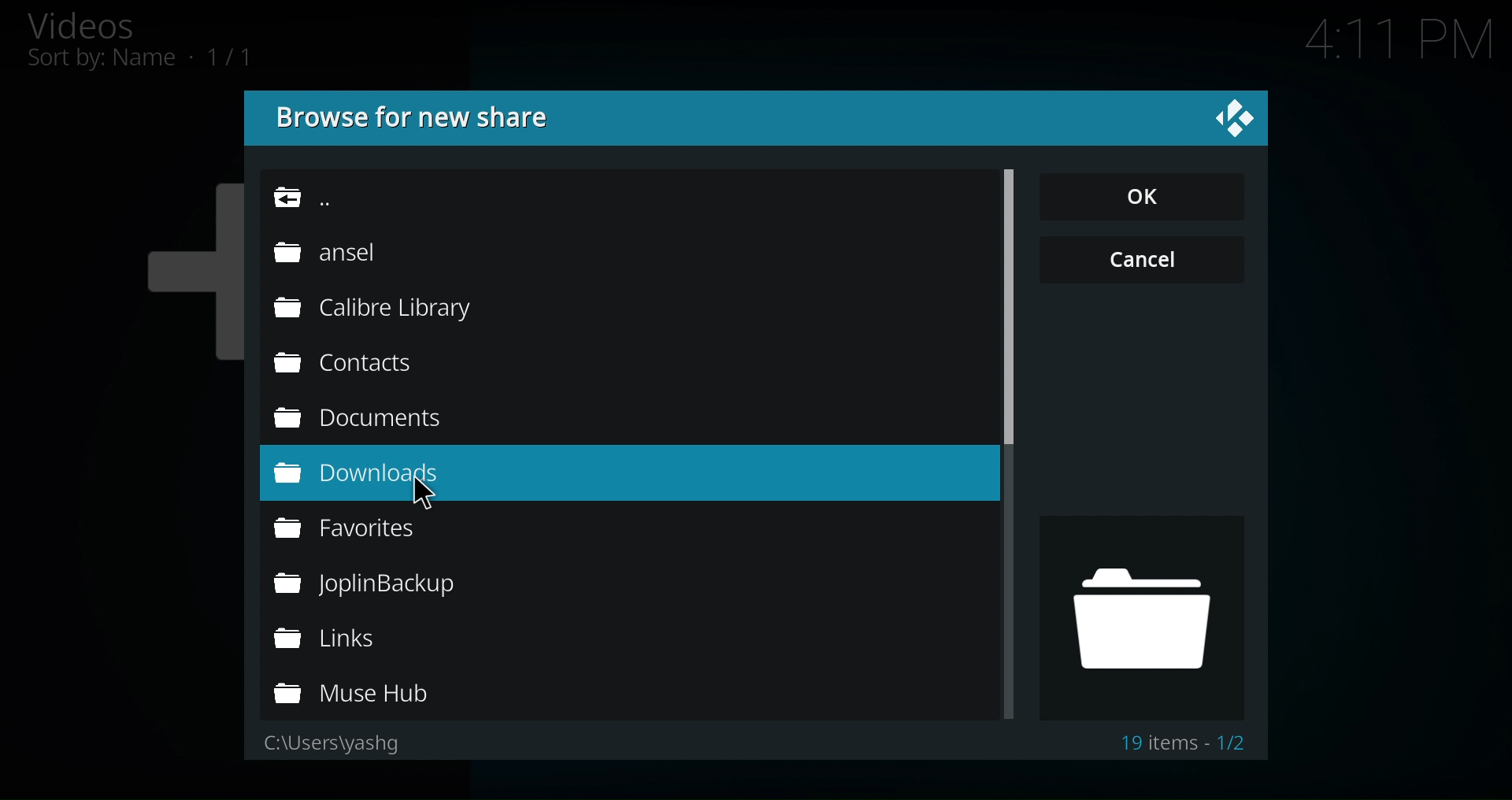 The height and width of the screenshot is (800, 1512). I want to click on File Logo, so click(1143, 617).